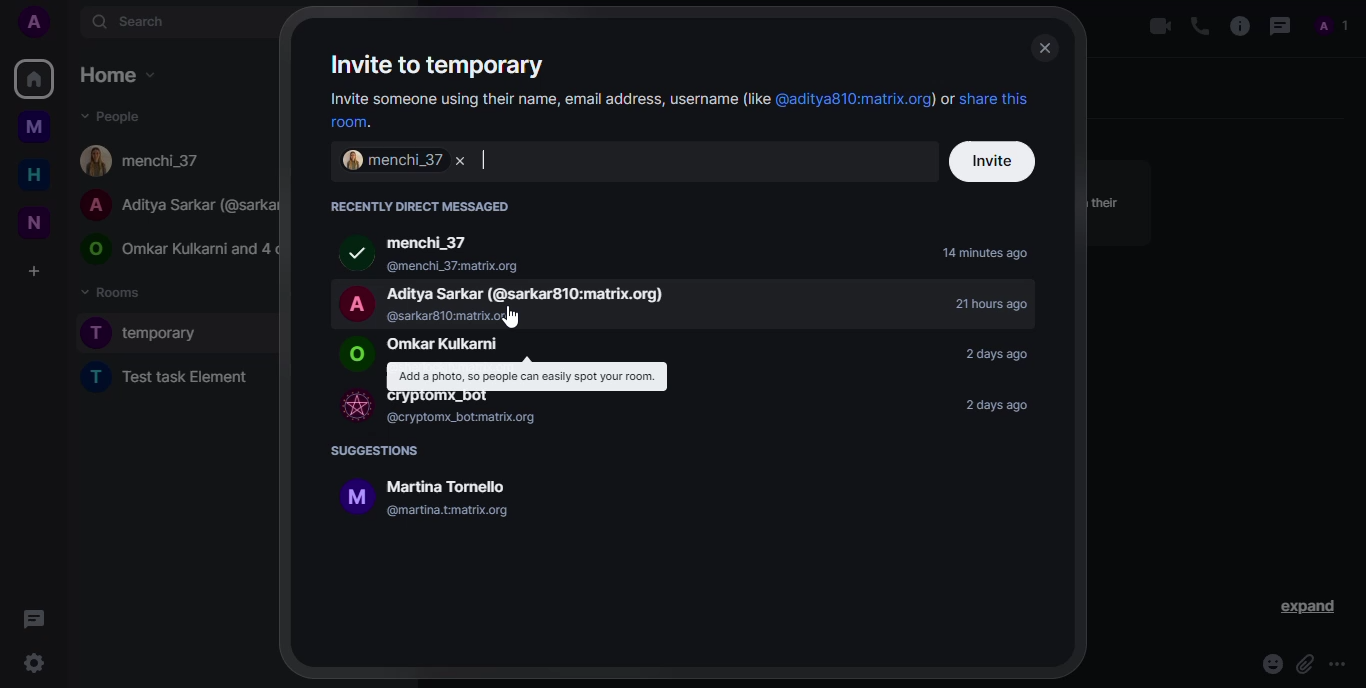 The width and height of the screenshot is (1366, 688). I want to click on 2days ago, so click(993, 353).